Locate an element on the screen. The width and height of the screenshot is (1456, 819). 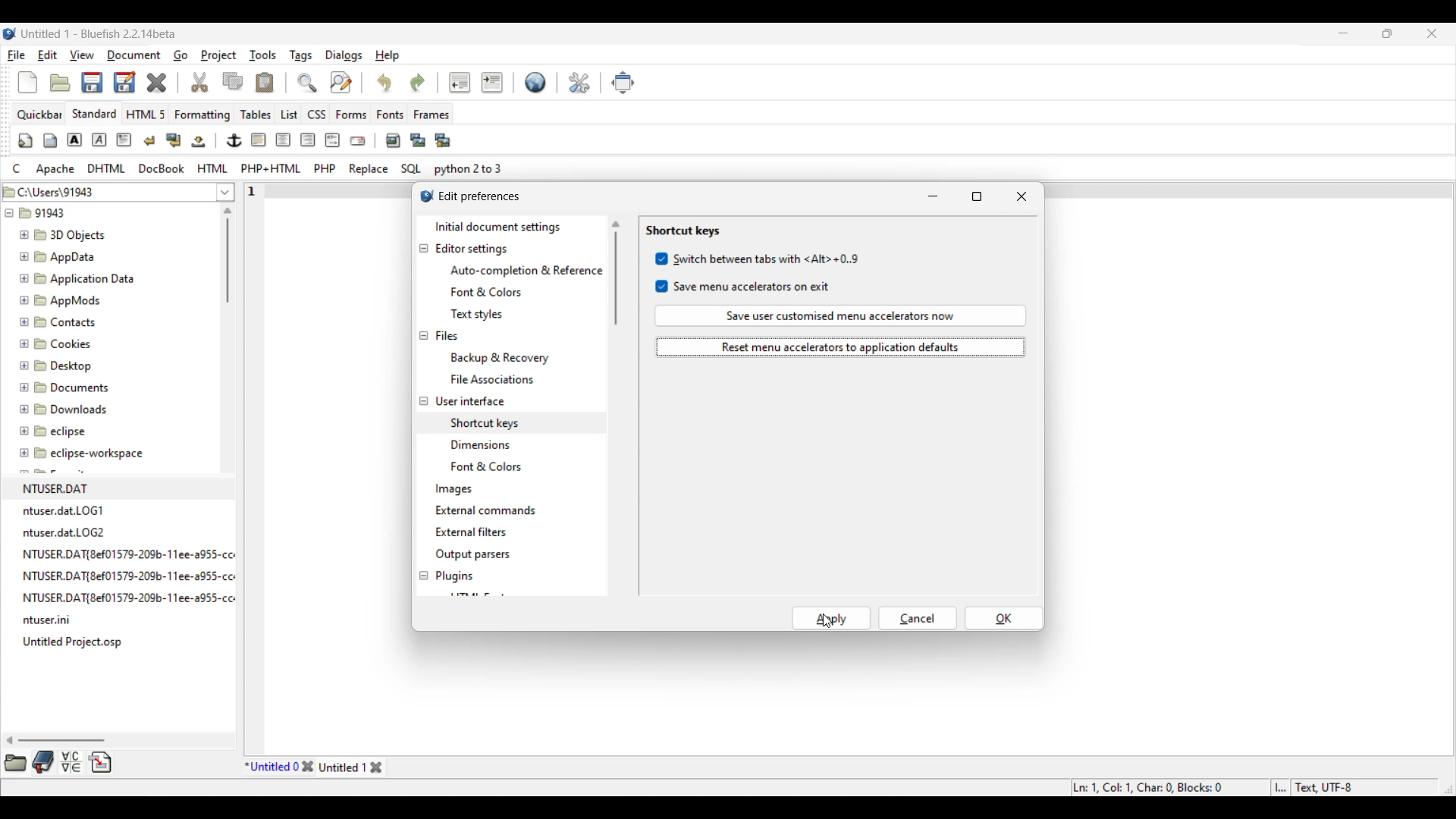
Paste is located at coordinates (265, 82).